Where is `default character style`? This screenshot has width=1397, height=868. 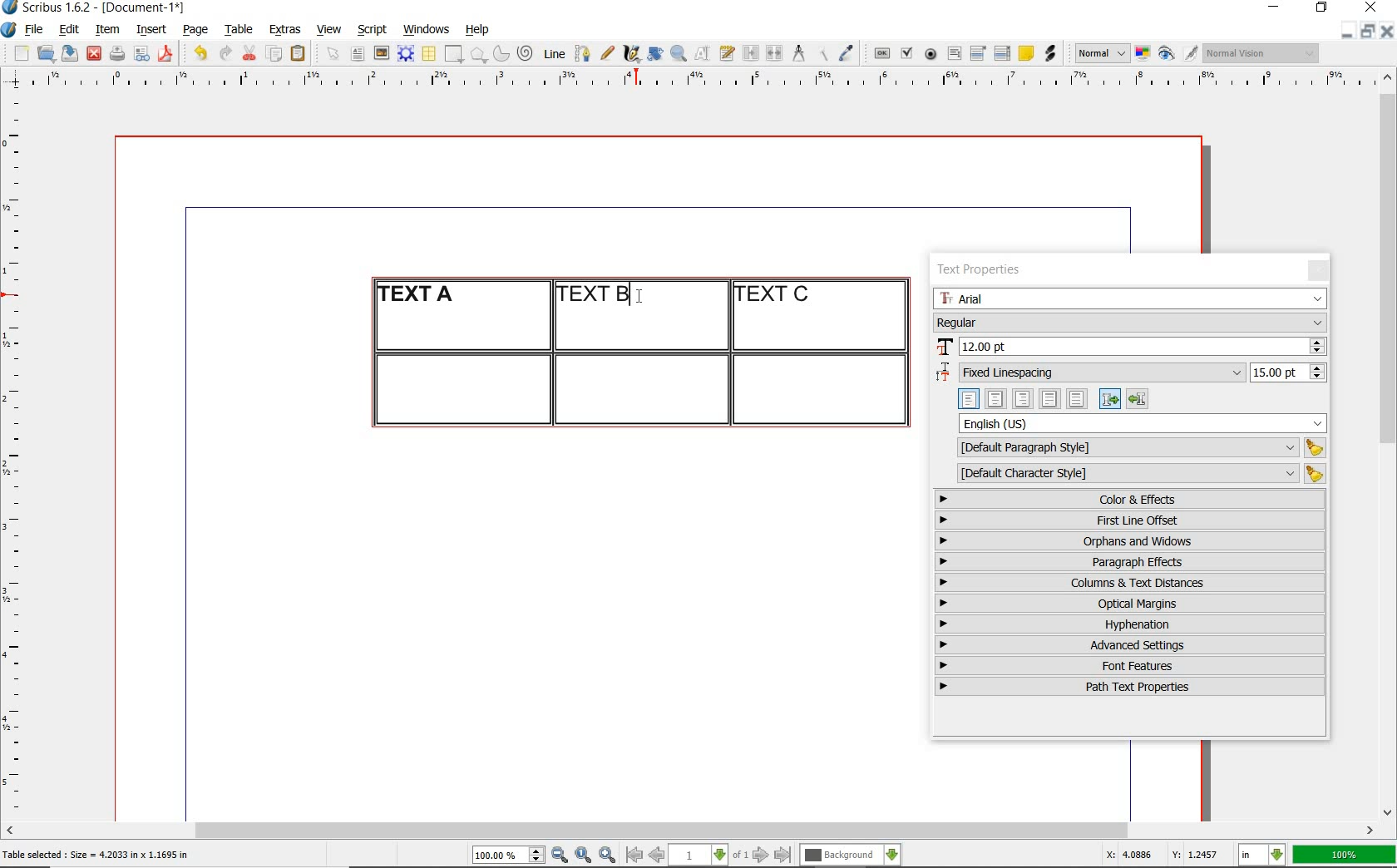 default character style is located at coordinates (1136, 474).